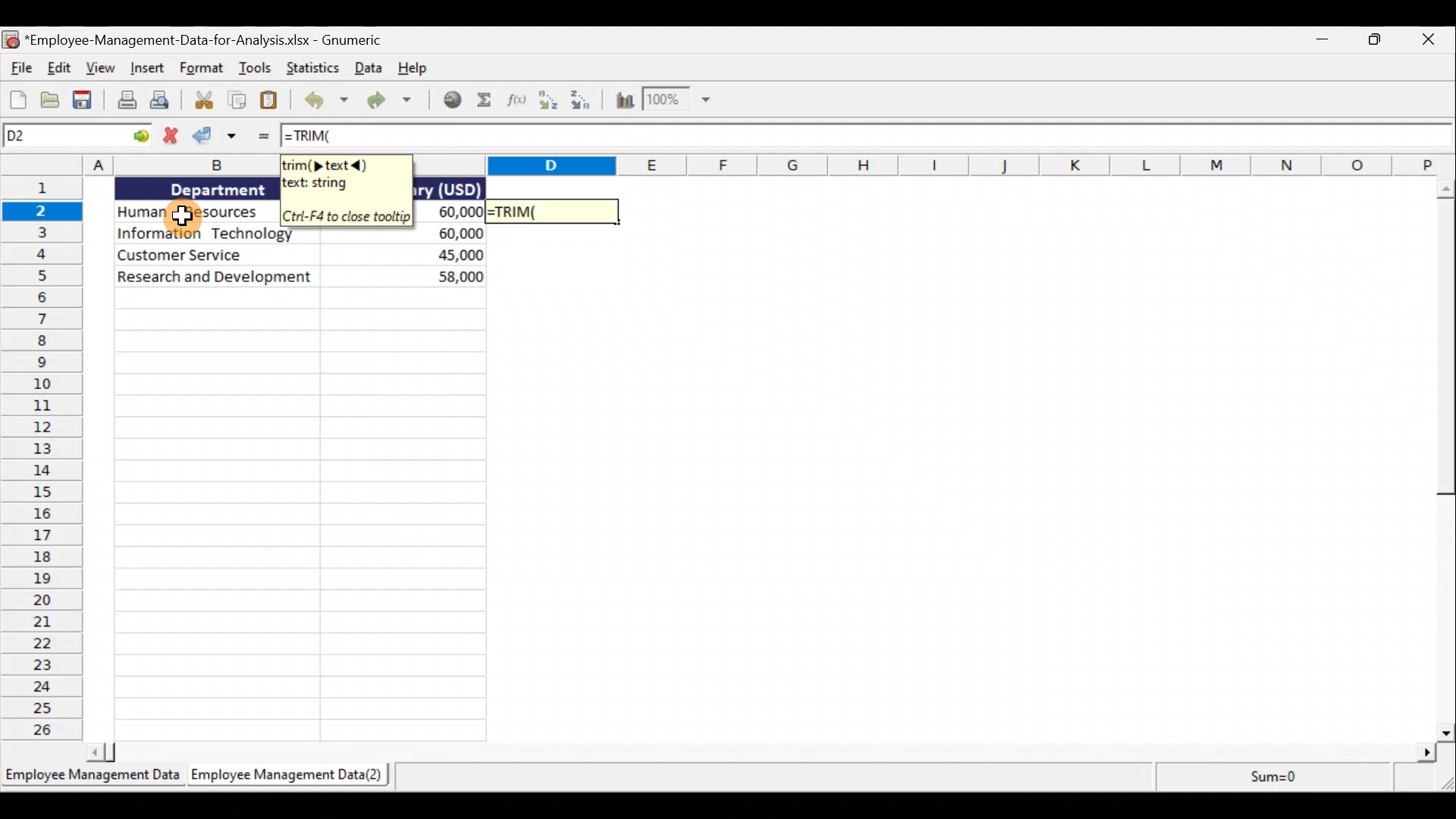 The height and width of the screenshot is (819, 1456). What do you see at coordinates (752, 752) in the screenshot?
I see `scroll bar` at bounding box center [752, 752].